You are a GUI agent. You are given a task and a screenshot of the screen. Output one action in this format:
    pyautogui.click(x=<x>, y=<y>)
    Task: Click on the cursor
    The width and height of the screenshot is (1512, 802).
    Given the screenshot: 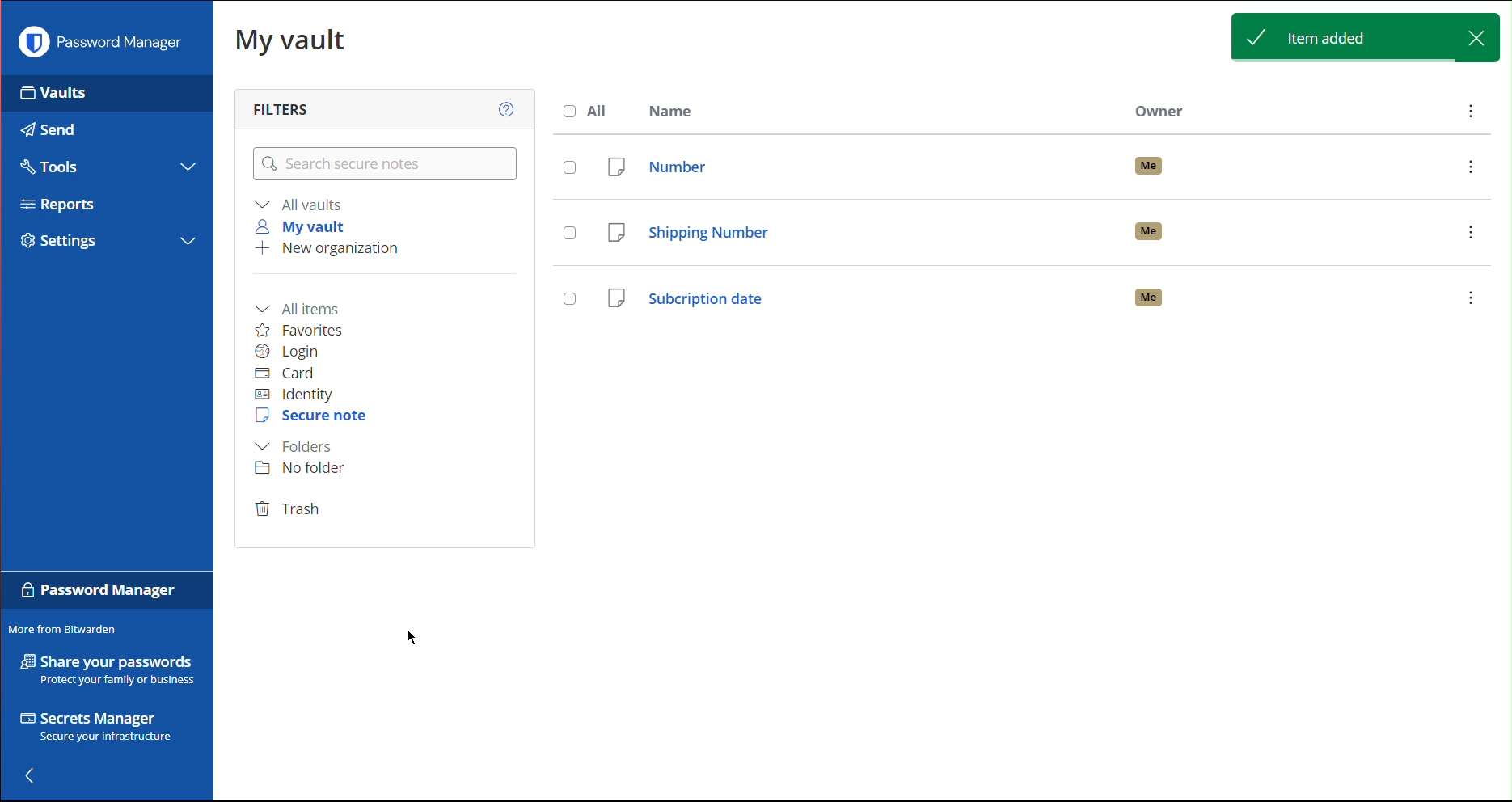 What is the action you would take?
    pyautogui.click(x=419, y=643)
    